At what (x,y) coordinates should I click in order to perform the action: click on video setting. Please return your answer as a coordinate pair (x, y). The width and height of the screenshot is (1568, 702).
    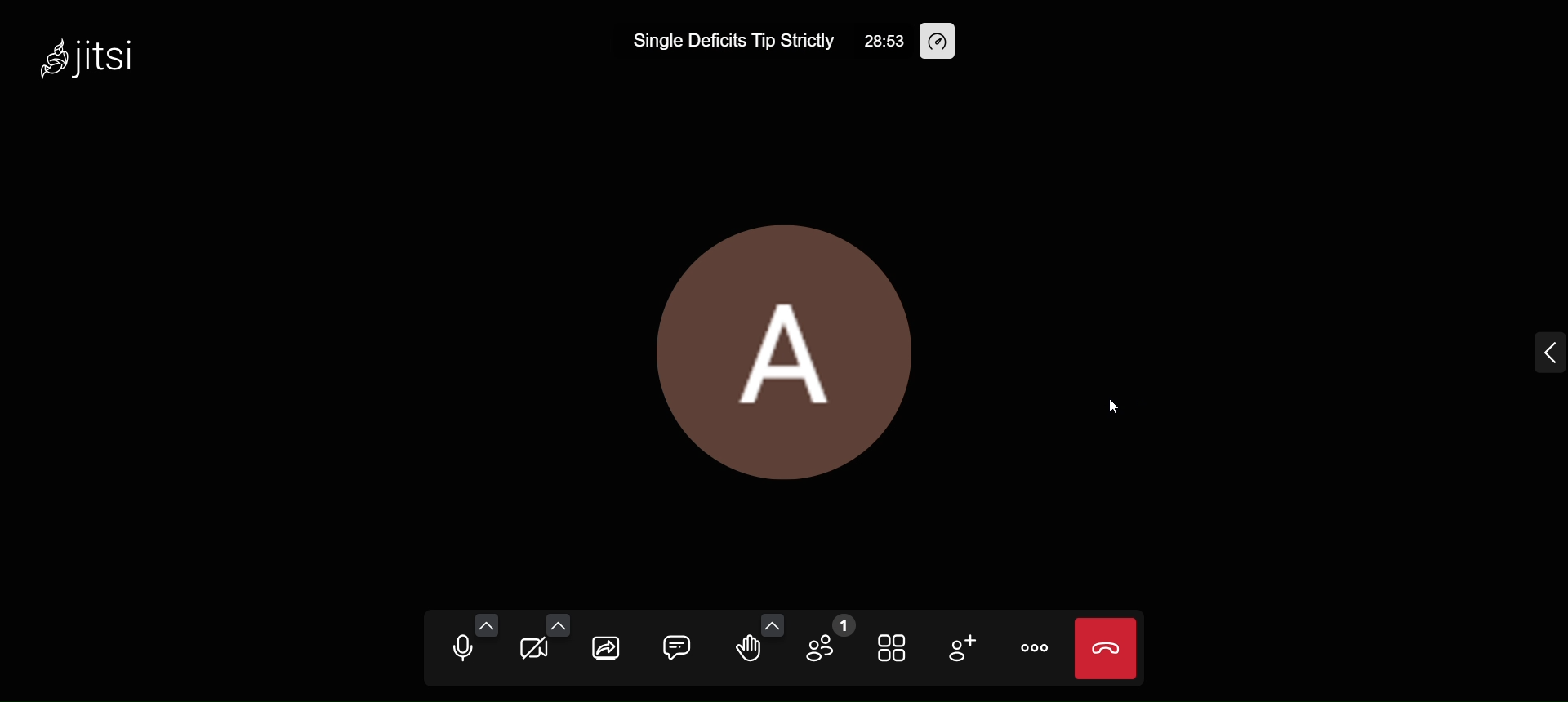
    Looking at the image, I should click on (553, 623).